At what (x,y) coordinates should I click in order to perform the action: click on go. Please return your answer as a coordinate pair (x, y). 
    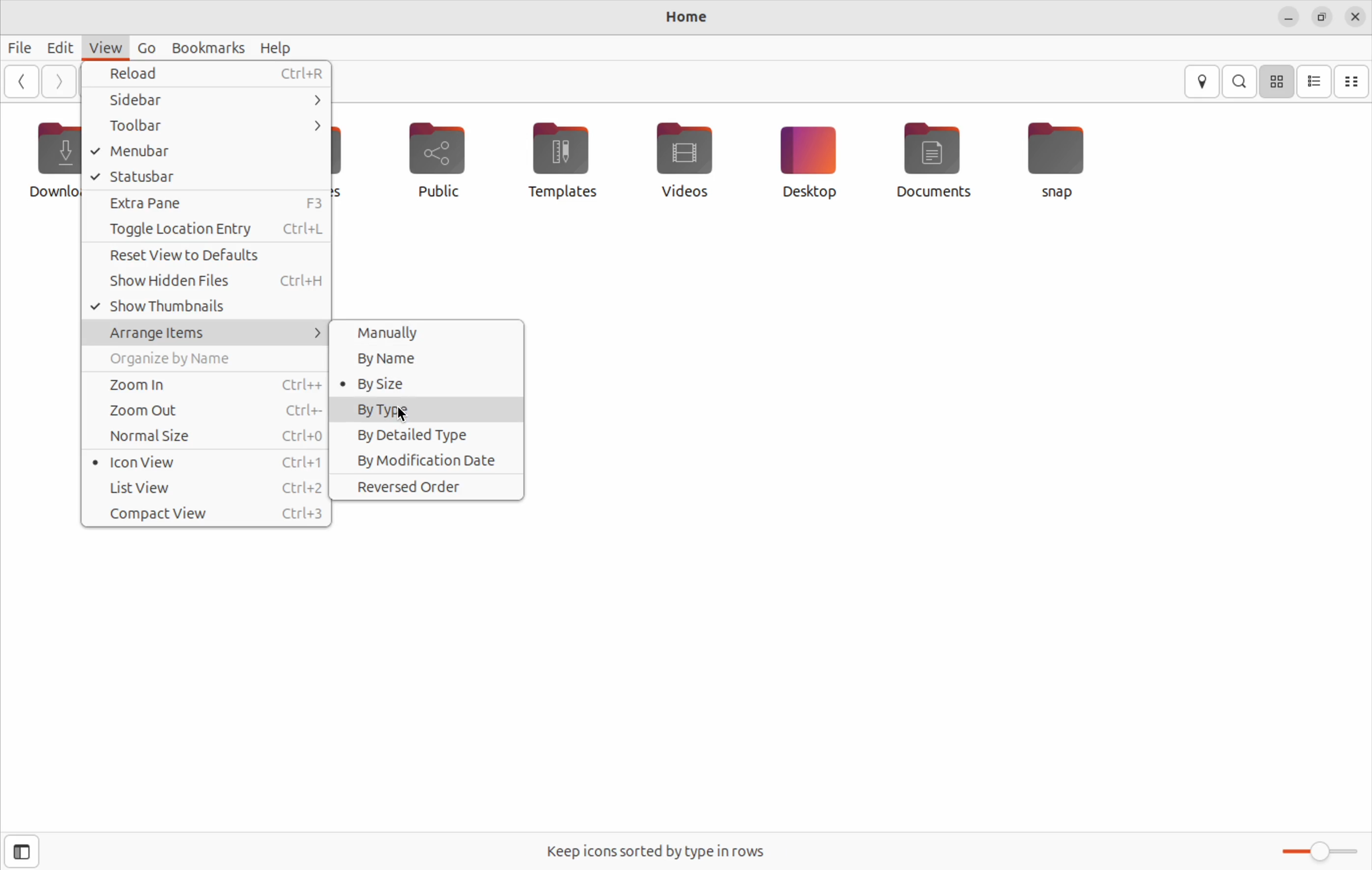
    Looking at the image, I should click on (144, 48).